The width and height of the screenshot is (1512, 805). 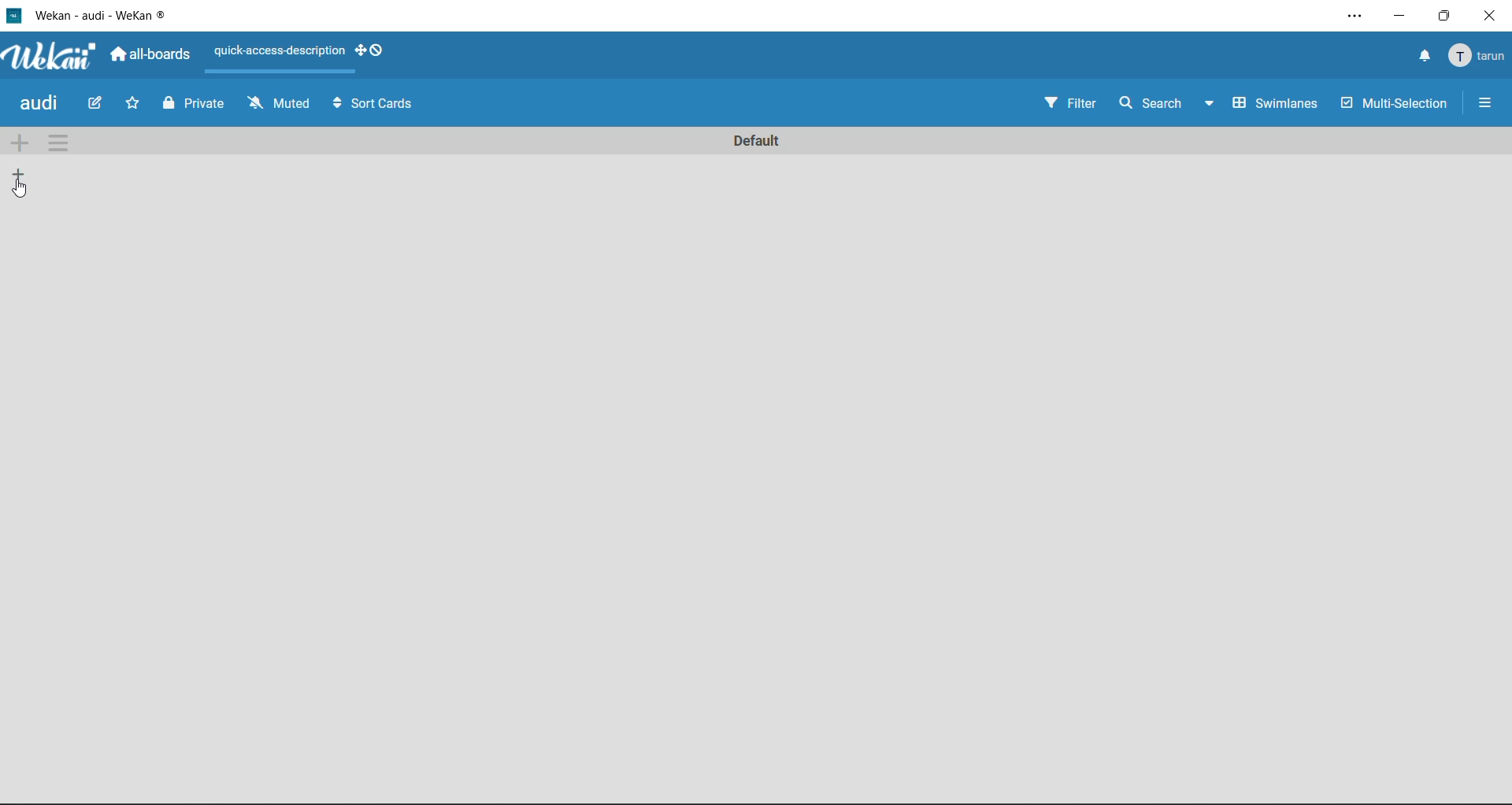 I want to click on Filter, so click(x=1073, y=105).